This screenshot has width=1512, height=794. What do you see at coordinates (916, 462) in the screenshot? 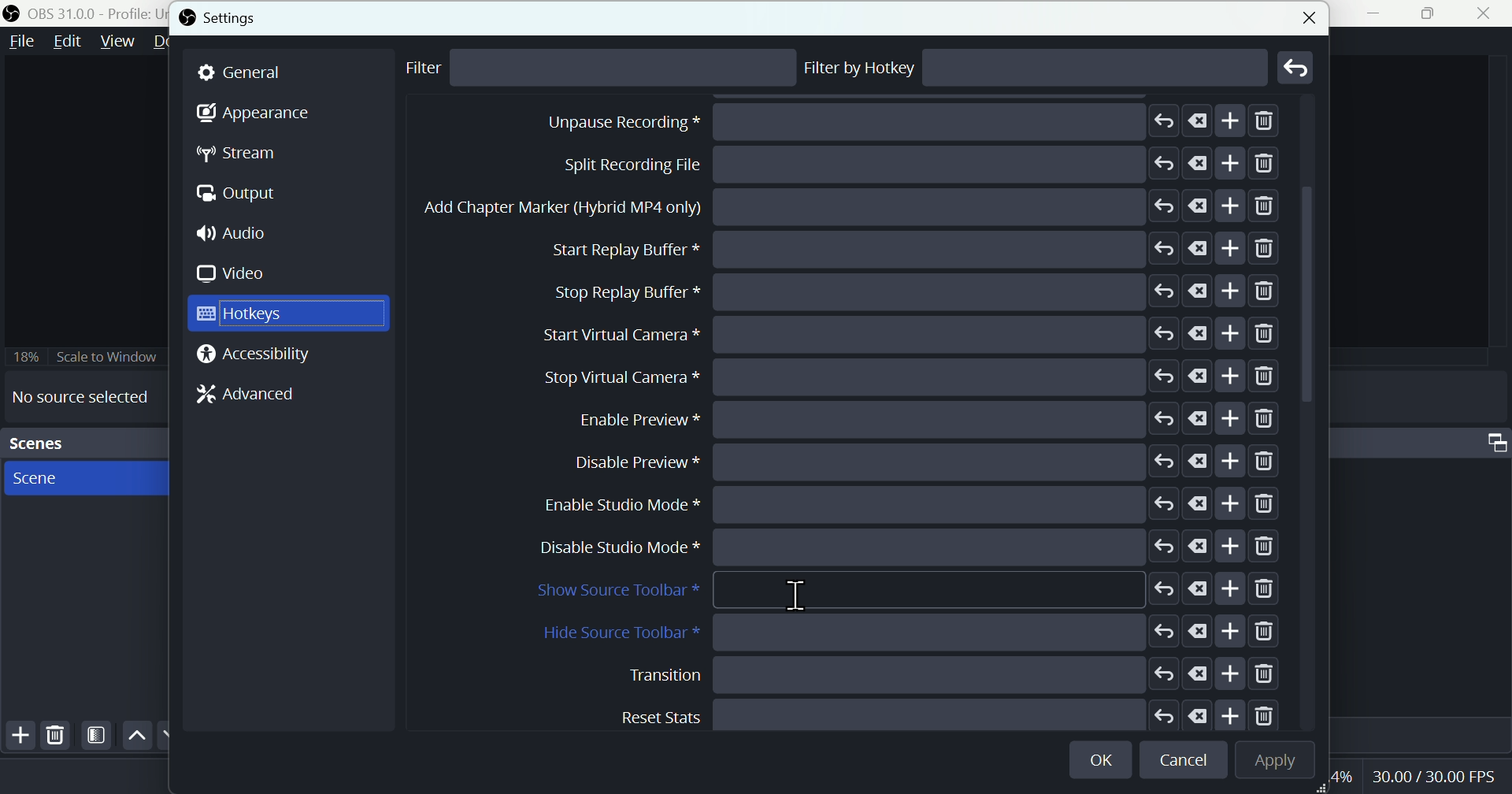
I see `Stop Replay Buffer` at bounding box center [916, 462].